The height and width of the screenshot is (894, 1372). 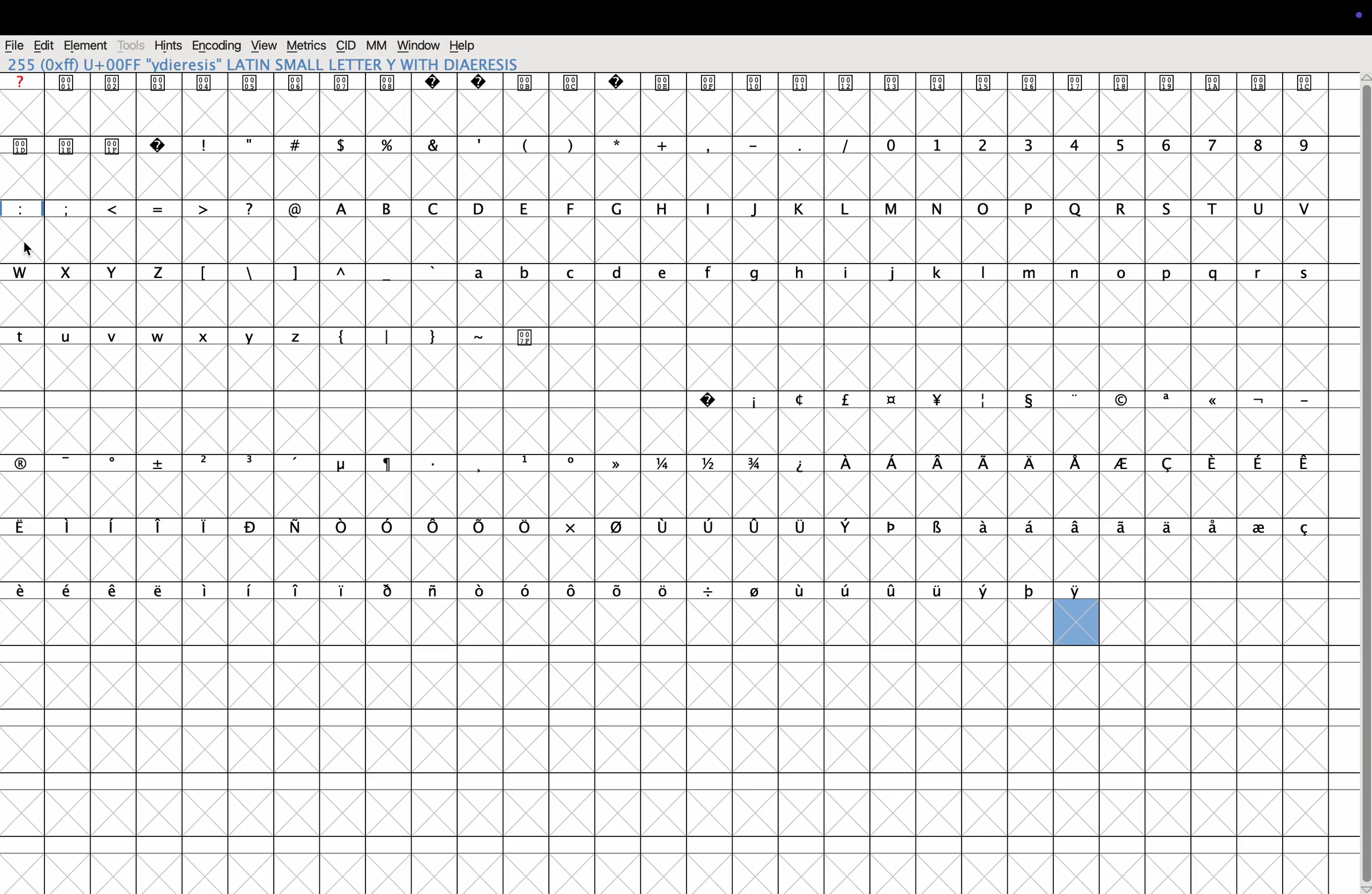 What do you see at coordinates (1027, 231) in the screenshot?
I see `P` at bounding box center [1027, 231].